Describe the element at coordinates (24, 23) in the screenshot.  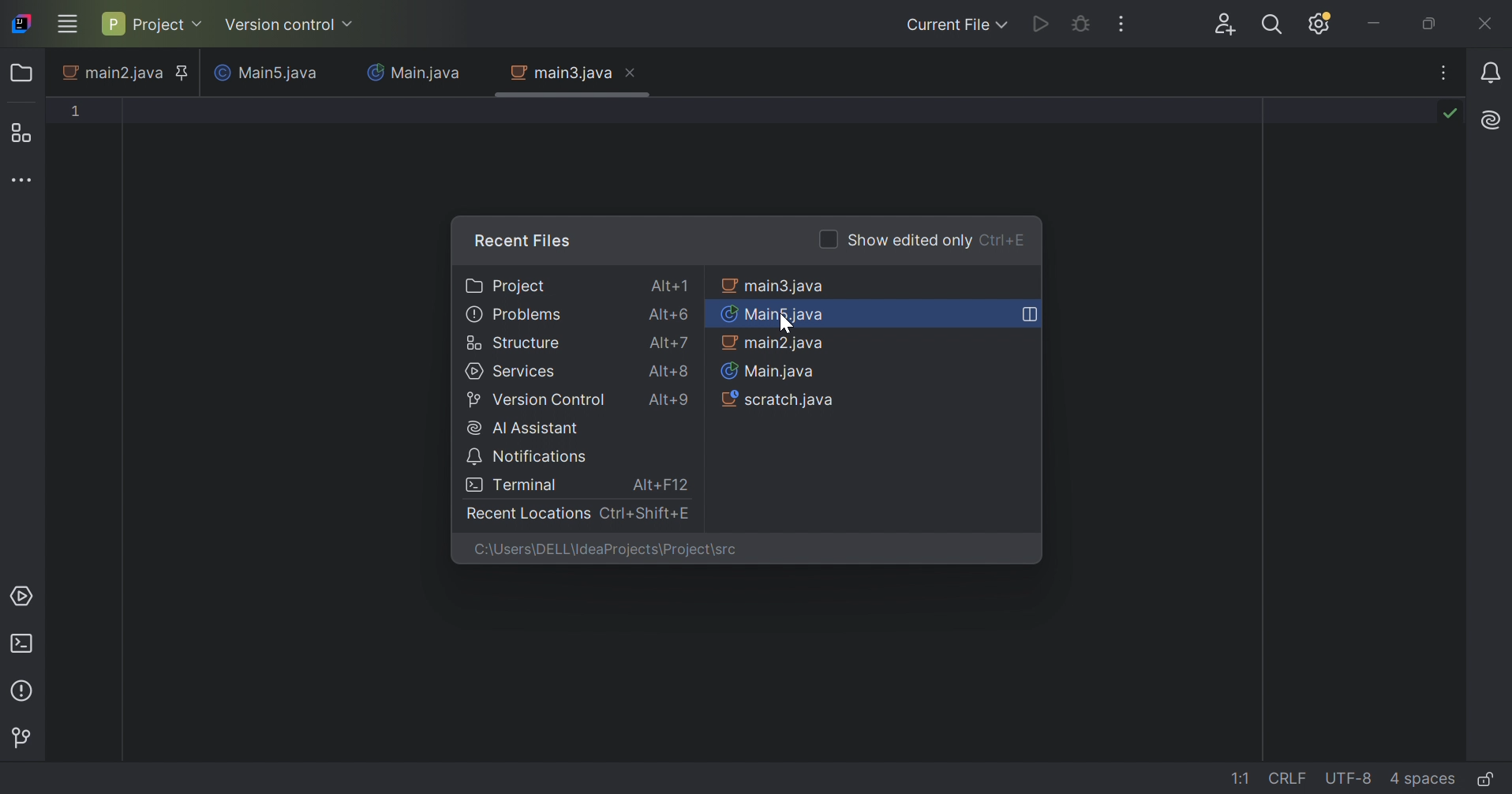
I see `IntelliJ IDEA icon` at that location.